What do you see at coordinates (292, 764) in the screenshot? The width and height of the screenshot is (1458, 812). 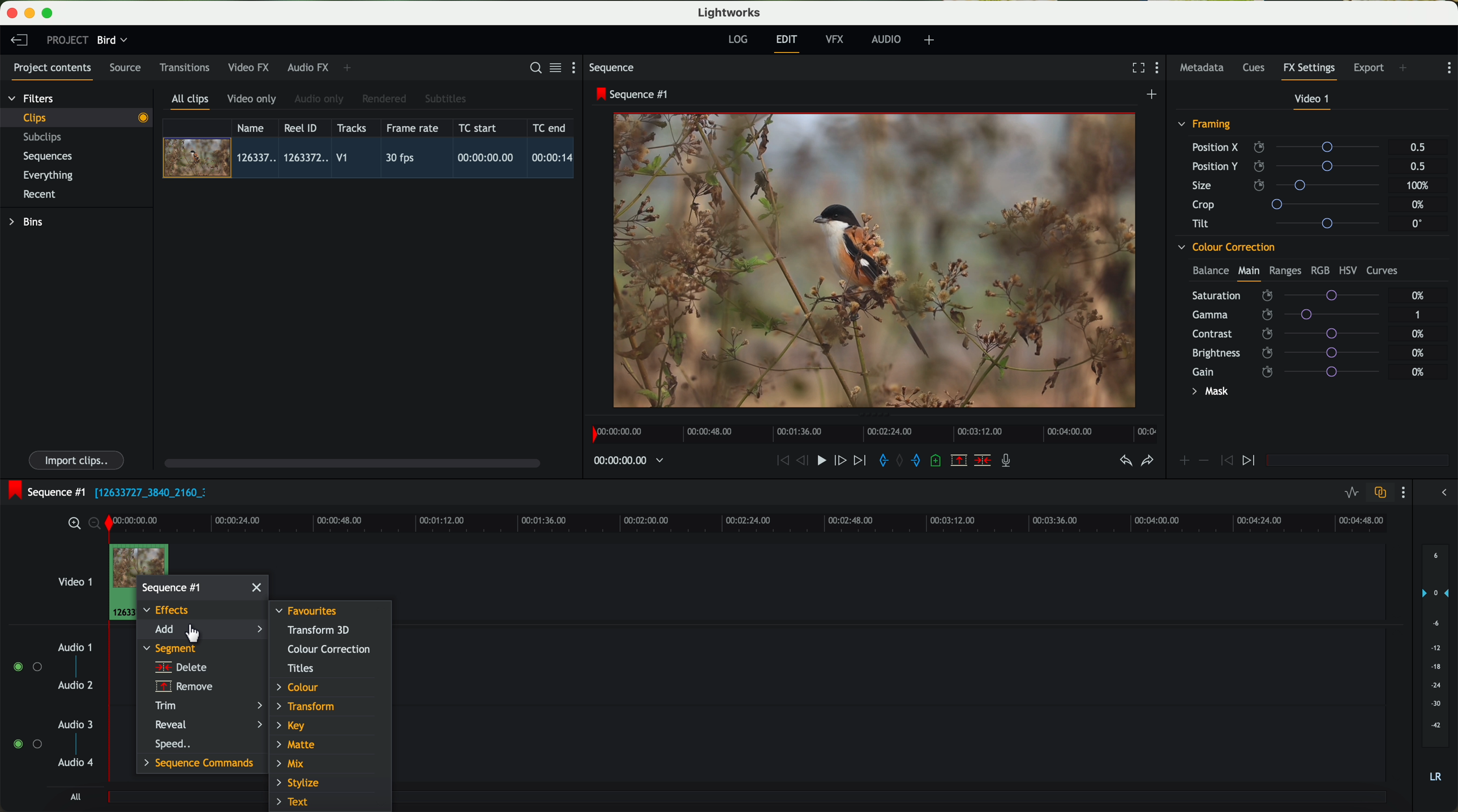 I see `mix` at bounding box center [292, 764].